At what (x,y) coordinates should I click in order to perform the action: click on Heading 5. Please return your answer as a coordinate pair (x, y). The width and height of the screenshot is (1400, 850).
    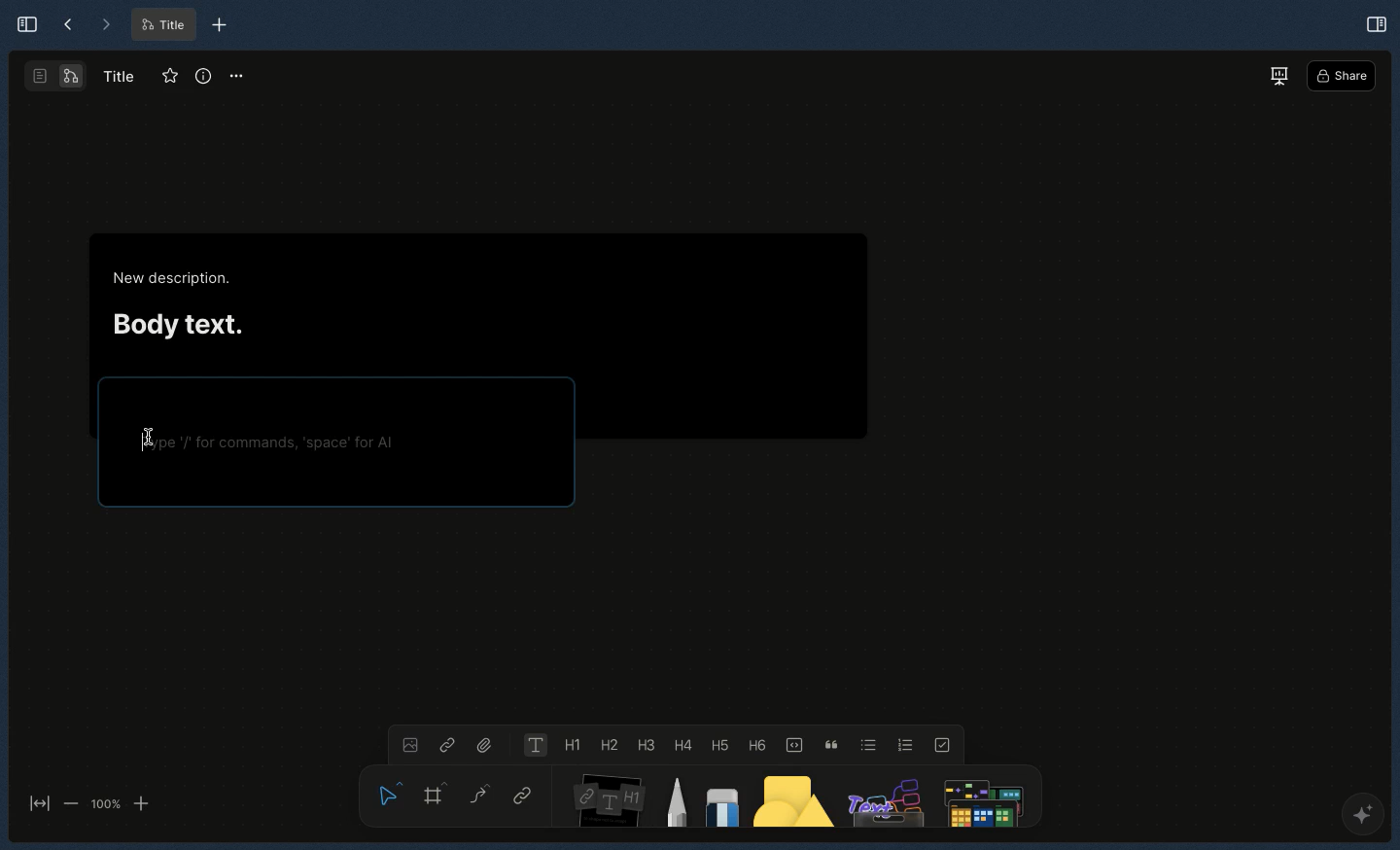
    Looking at the image, I should click on (717, 744).